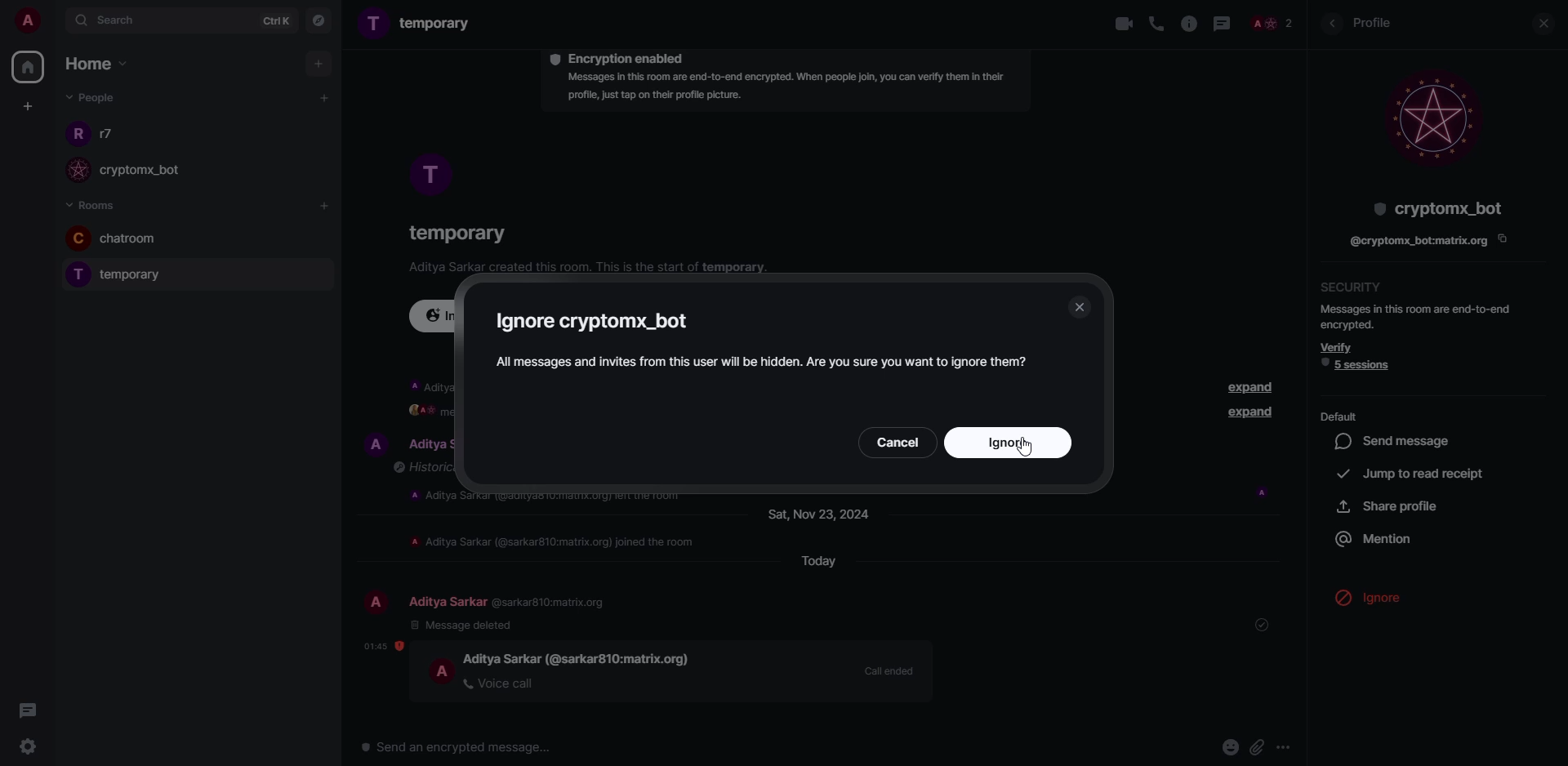 This screenshot has width=1568, height=766. Describe the element at coordinates (1531, 598) in the screenshot. I see `expand` at that location.